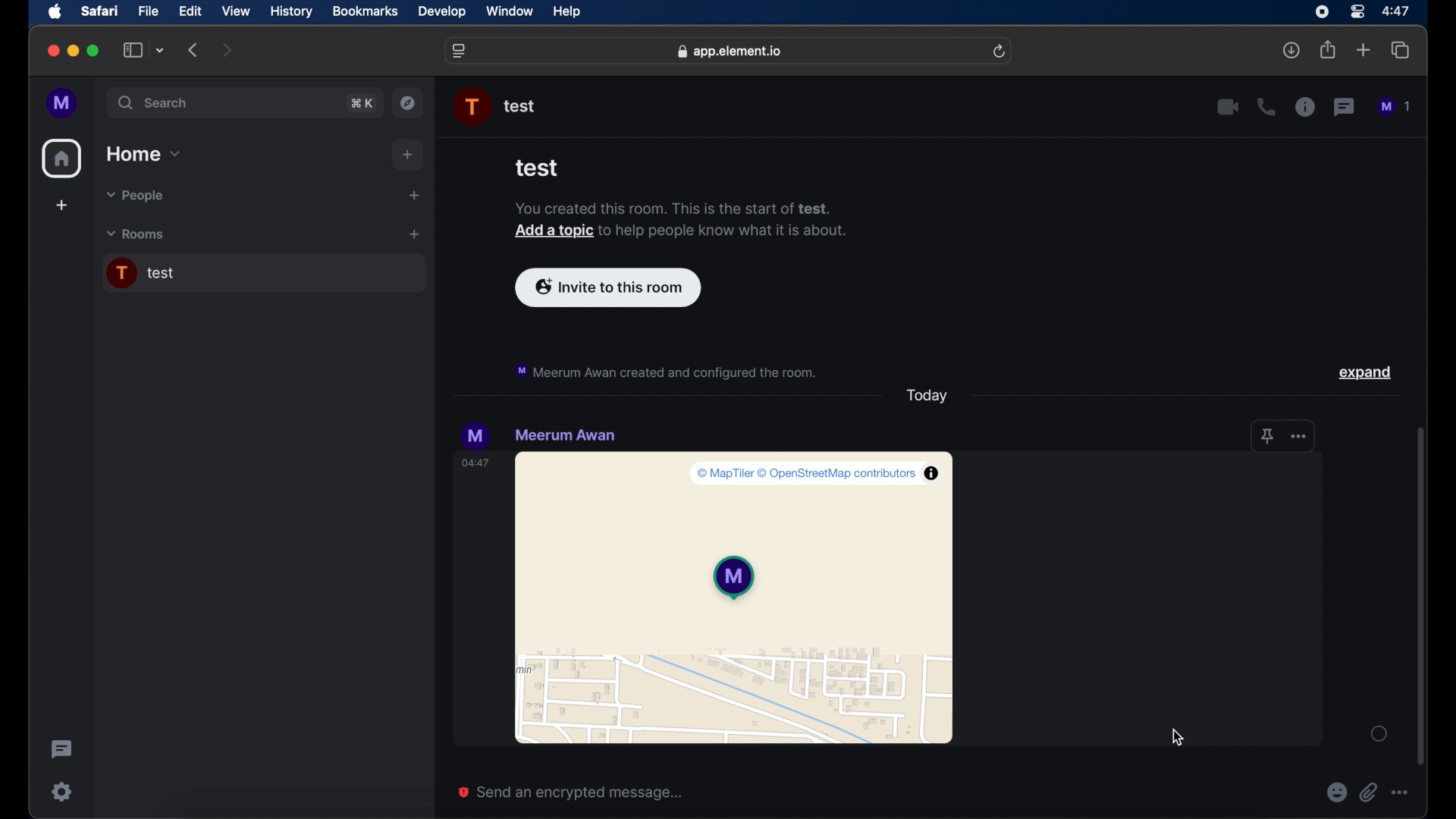  Describe the element at coordinates (576, 789) in the screenshot. I see `© Send an encrypted message...` at that location.